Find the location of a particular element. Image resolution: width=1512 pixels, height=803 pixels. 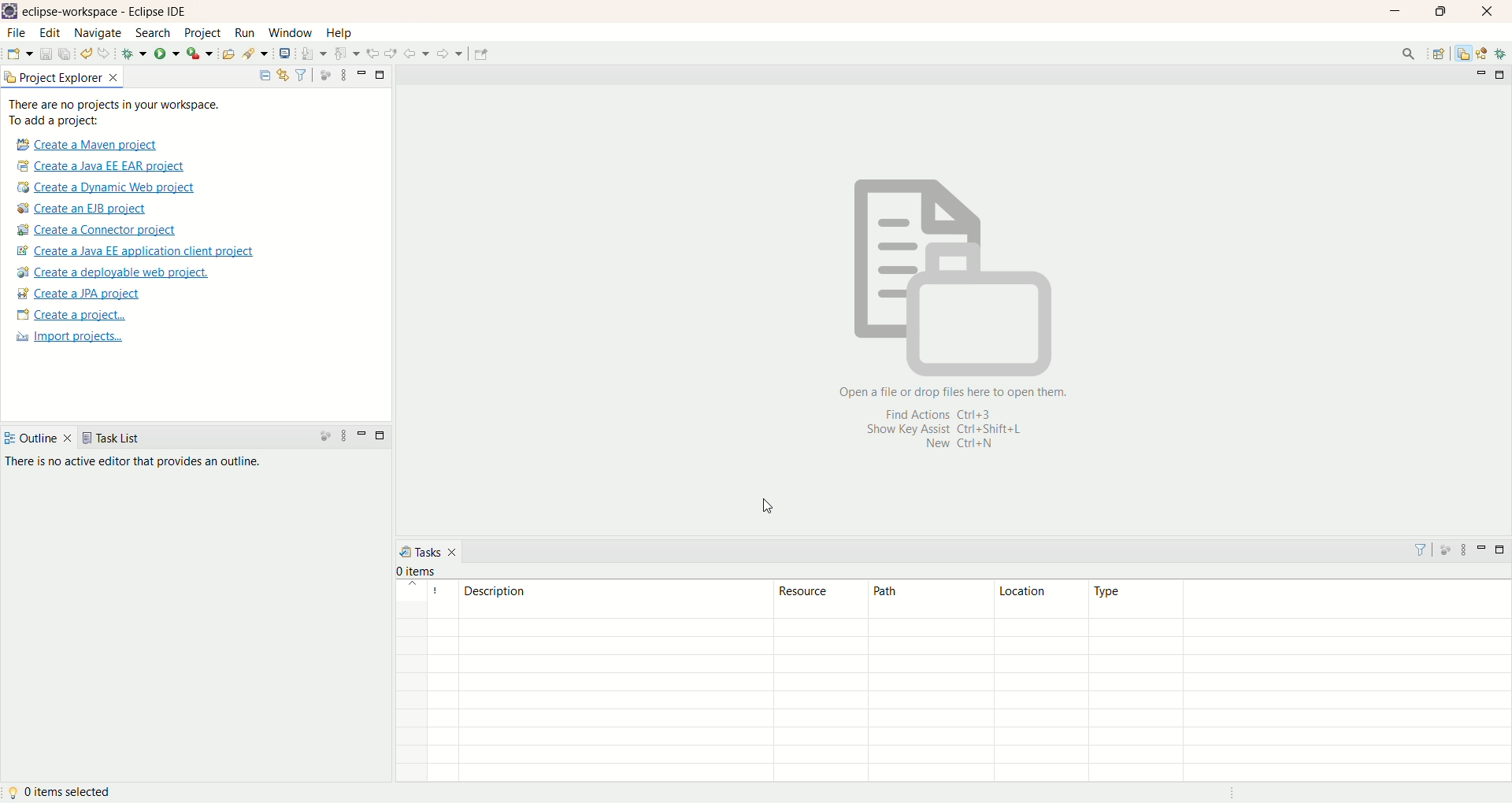

debug is located at coordinates (1503, 54).